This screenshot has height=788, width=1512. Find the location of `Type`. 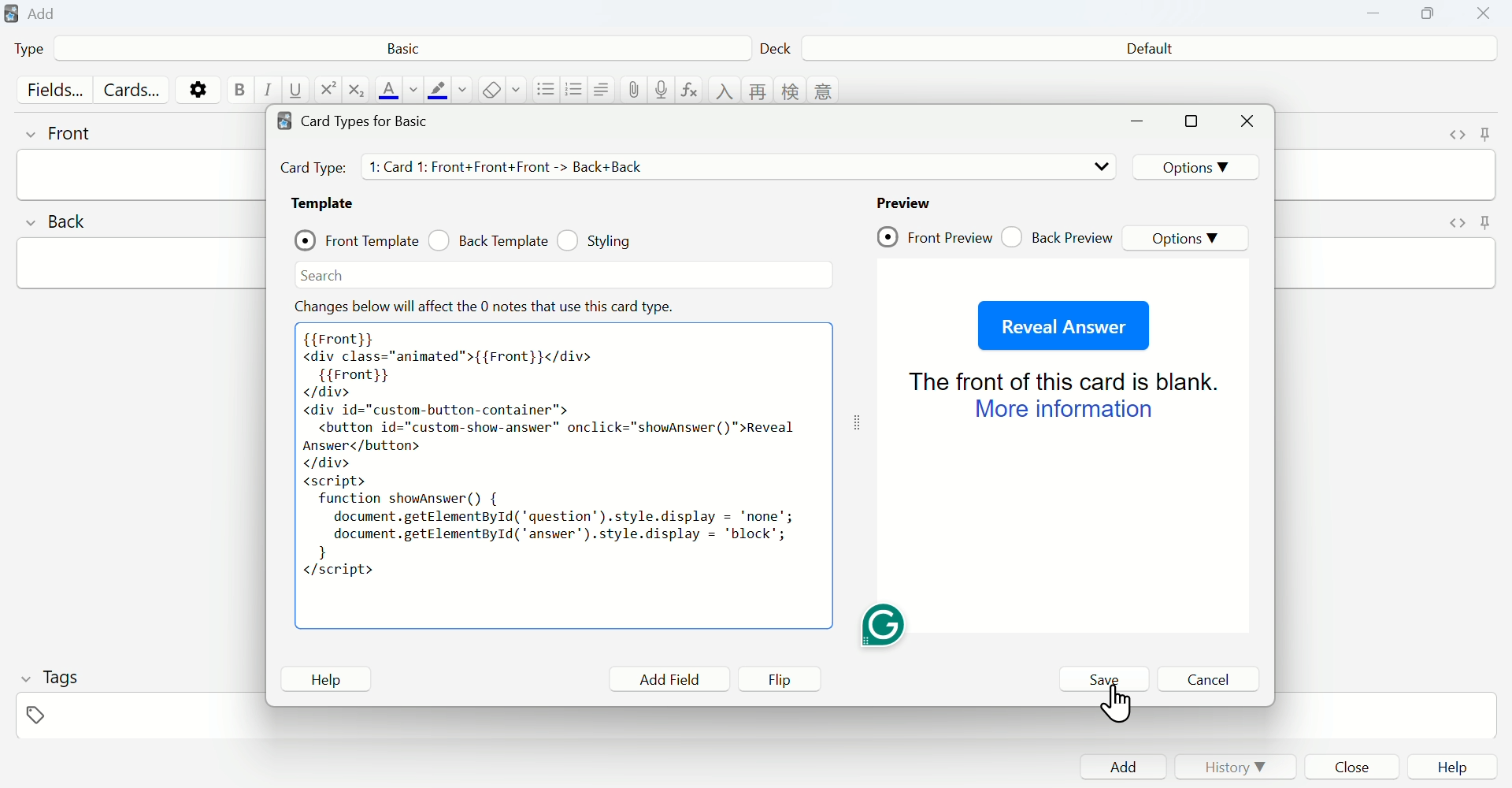

Type is located at coordinates (56, 52).